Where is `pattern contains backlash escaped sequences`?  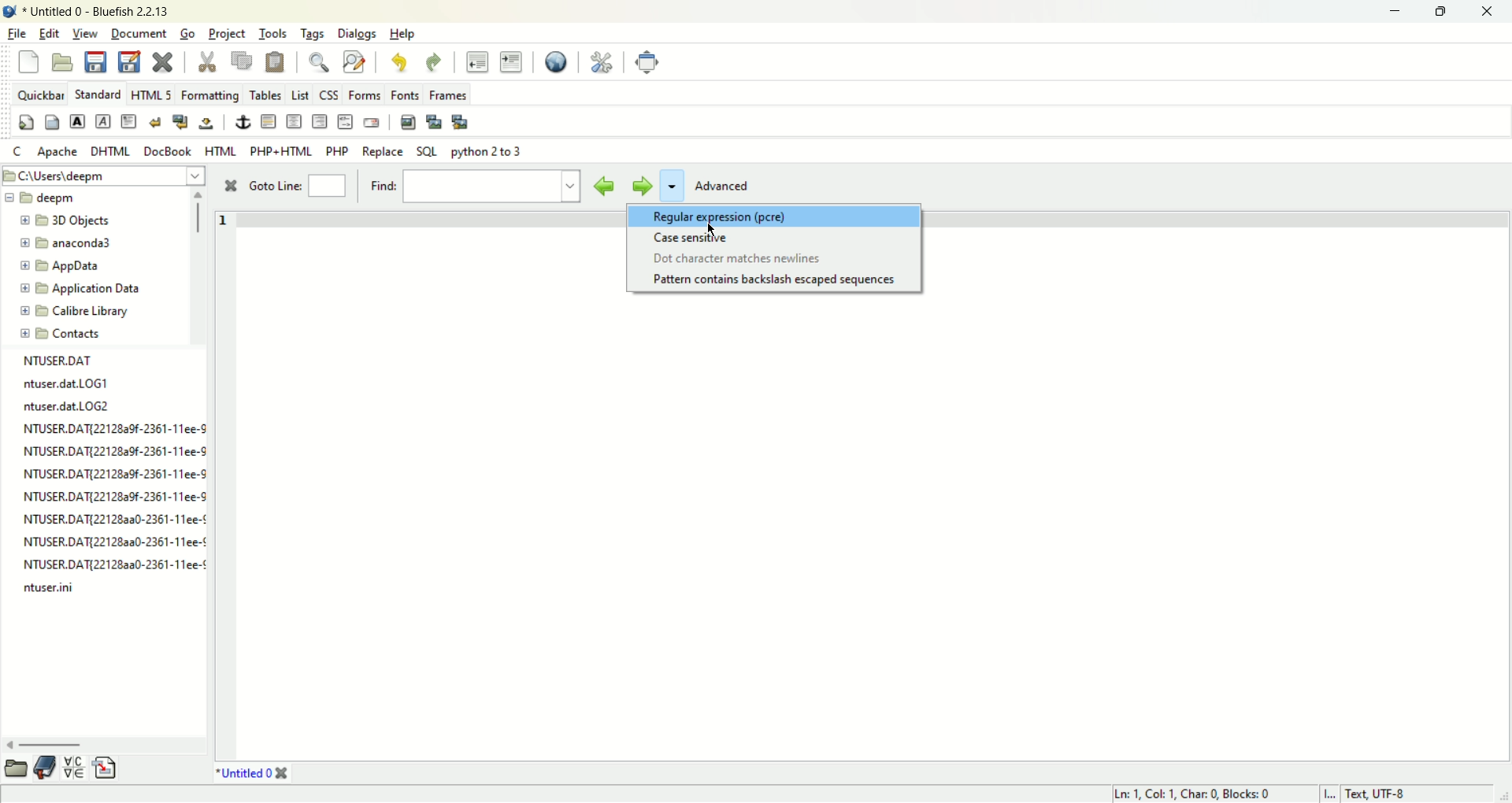 pattern contains backlash escaped sequences is located at coordinates (776, 280).